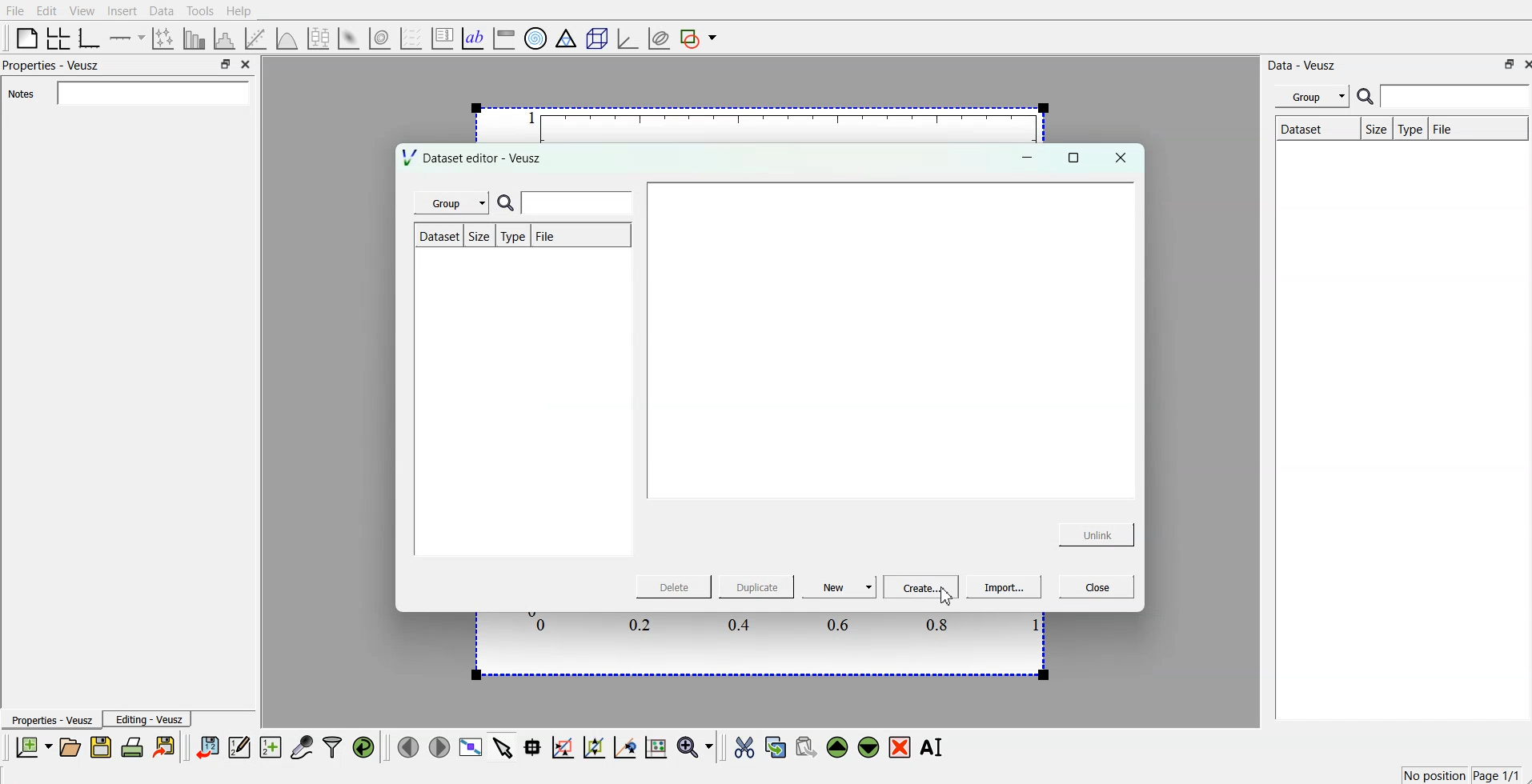  What do you see at coordinates (410, 36) in the screenshot?
I see `plot vector field` at bounding box center [410, 36].